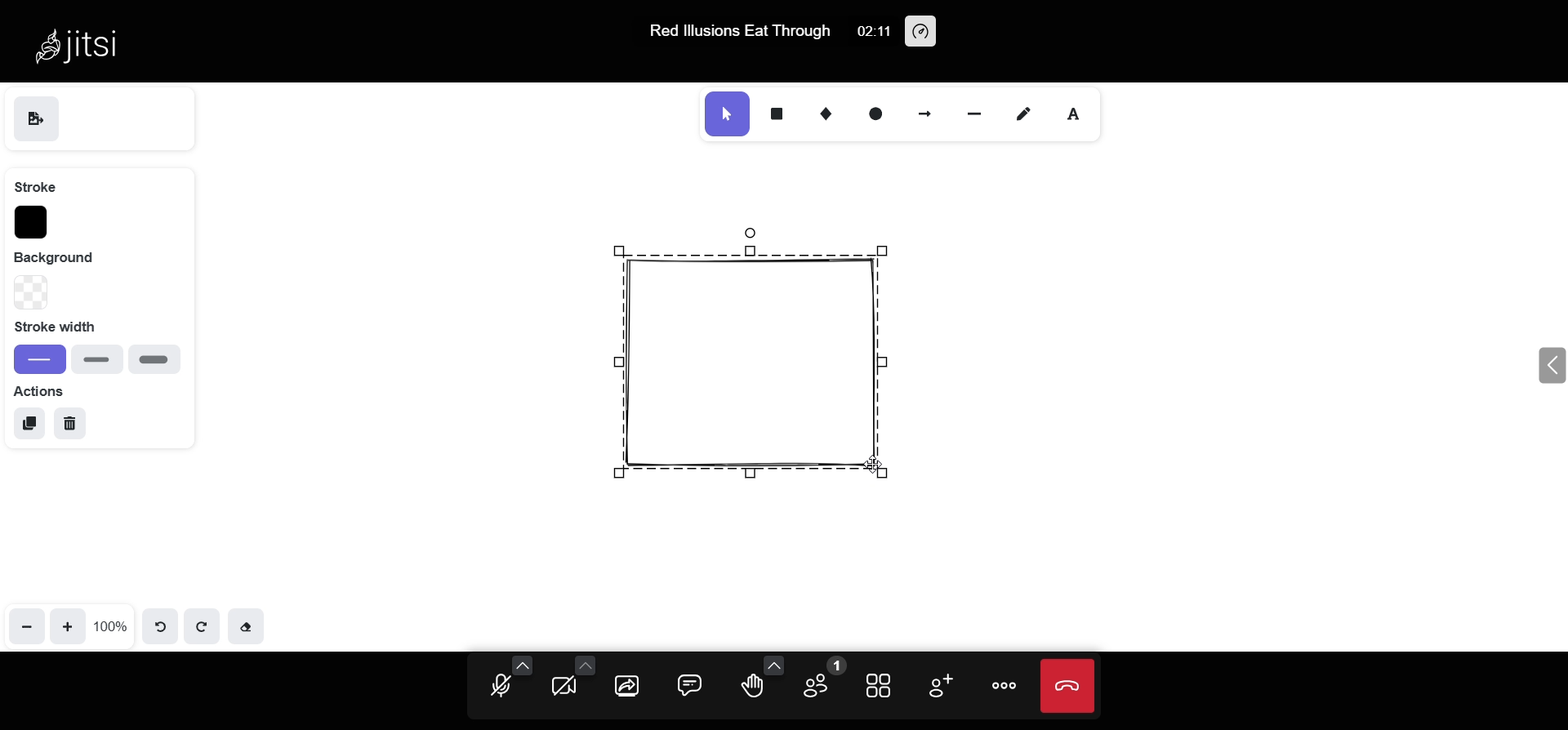  I want to click on zoom in, so click(68, 625).